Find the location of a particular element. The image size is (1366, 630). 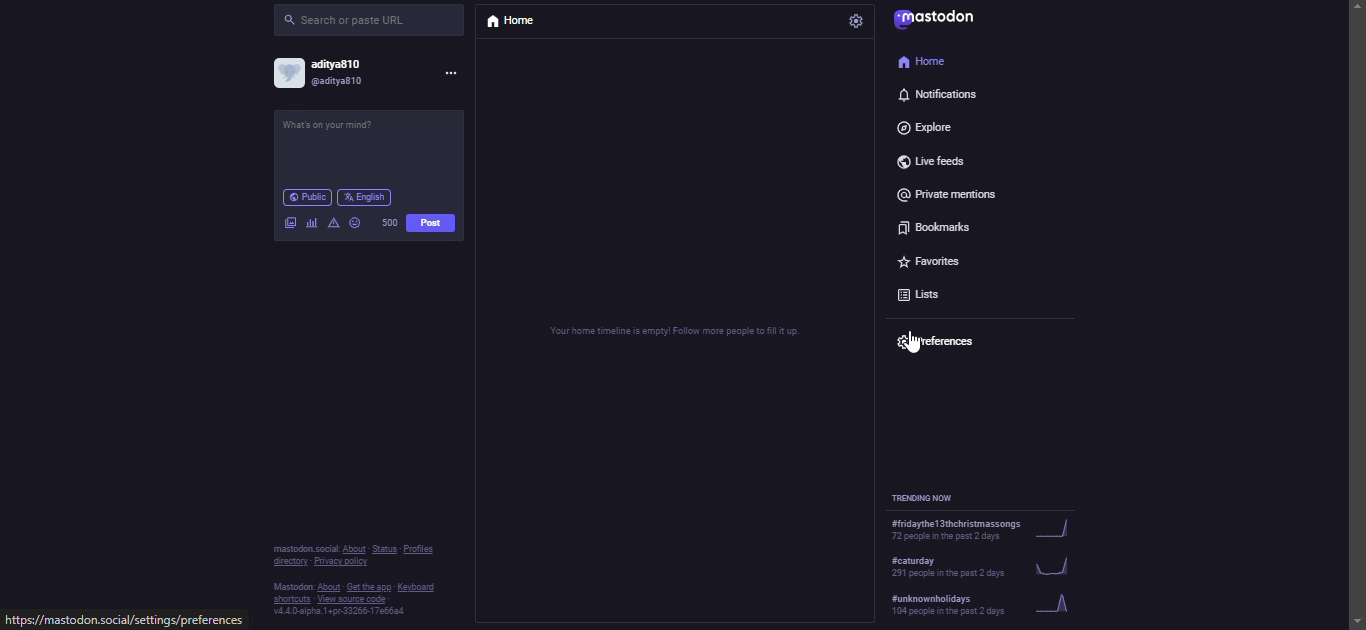

lists is located at coordinates (927, 295).